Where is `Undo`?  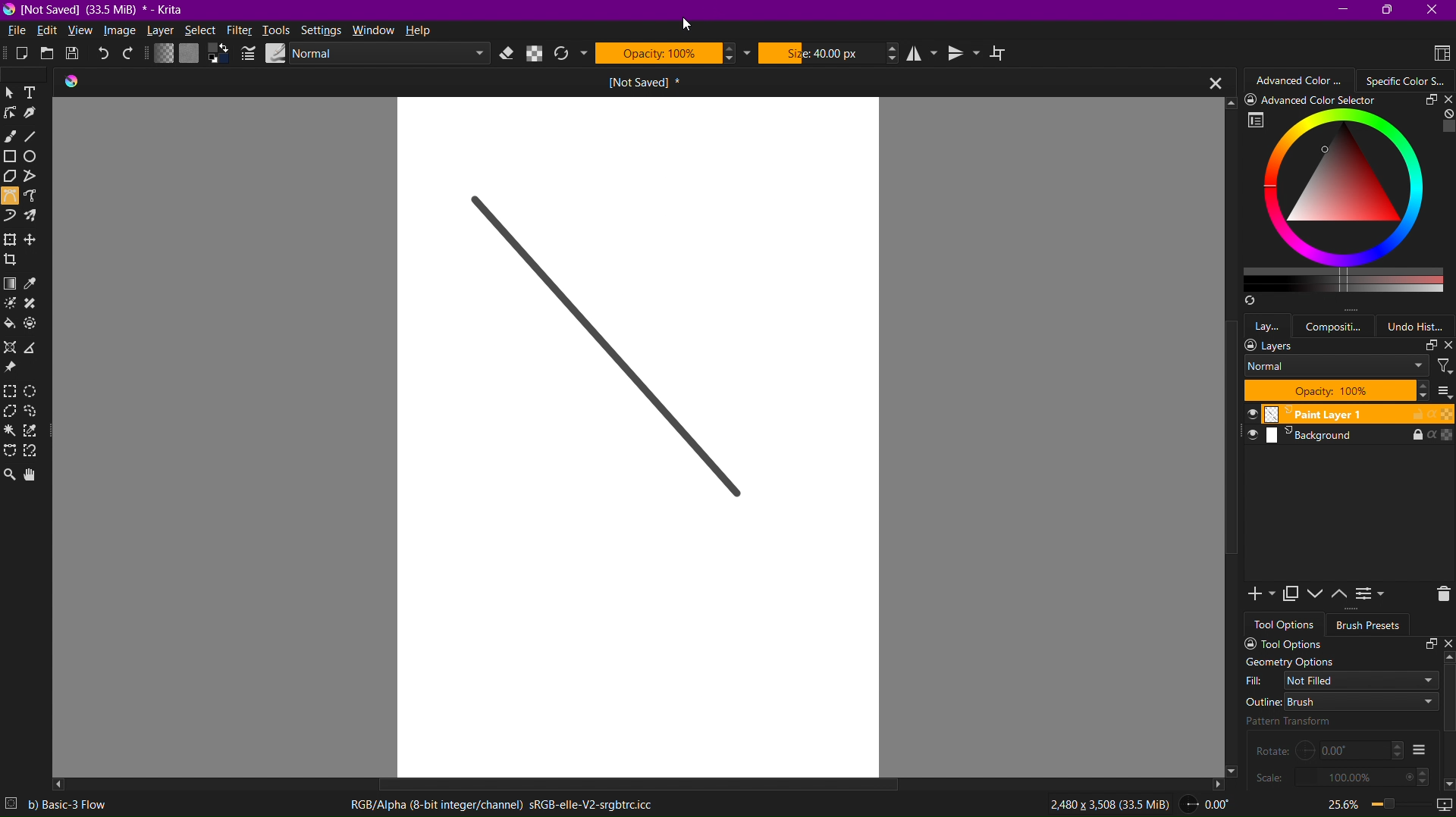 Undo is located at coordinates (105, 55).